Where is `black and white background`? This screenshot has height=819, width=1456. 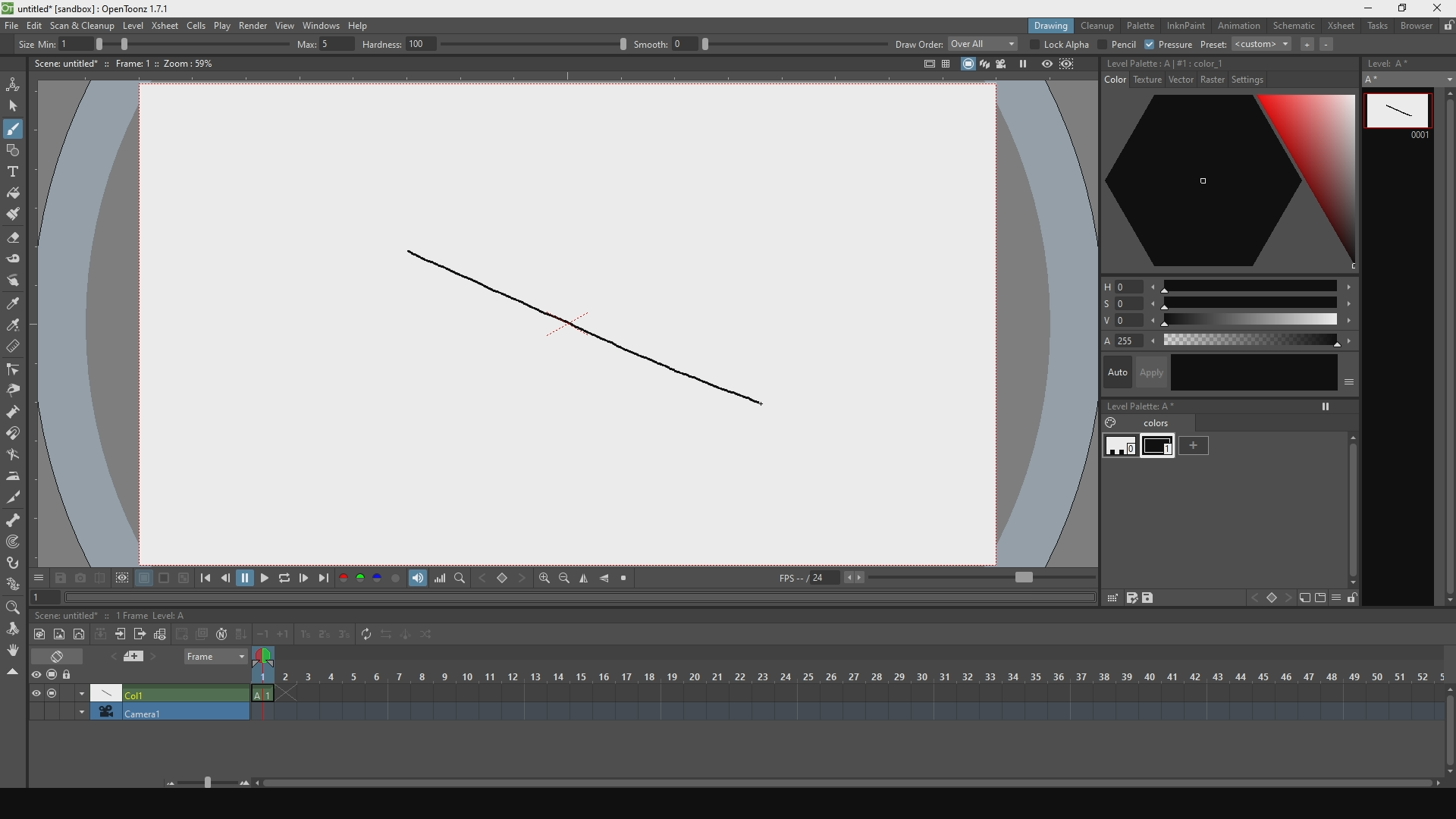
black and white background is located at coordinates (182, 580).